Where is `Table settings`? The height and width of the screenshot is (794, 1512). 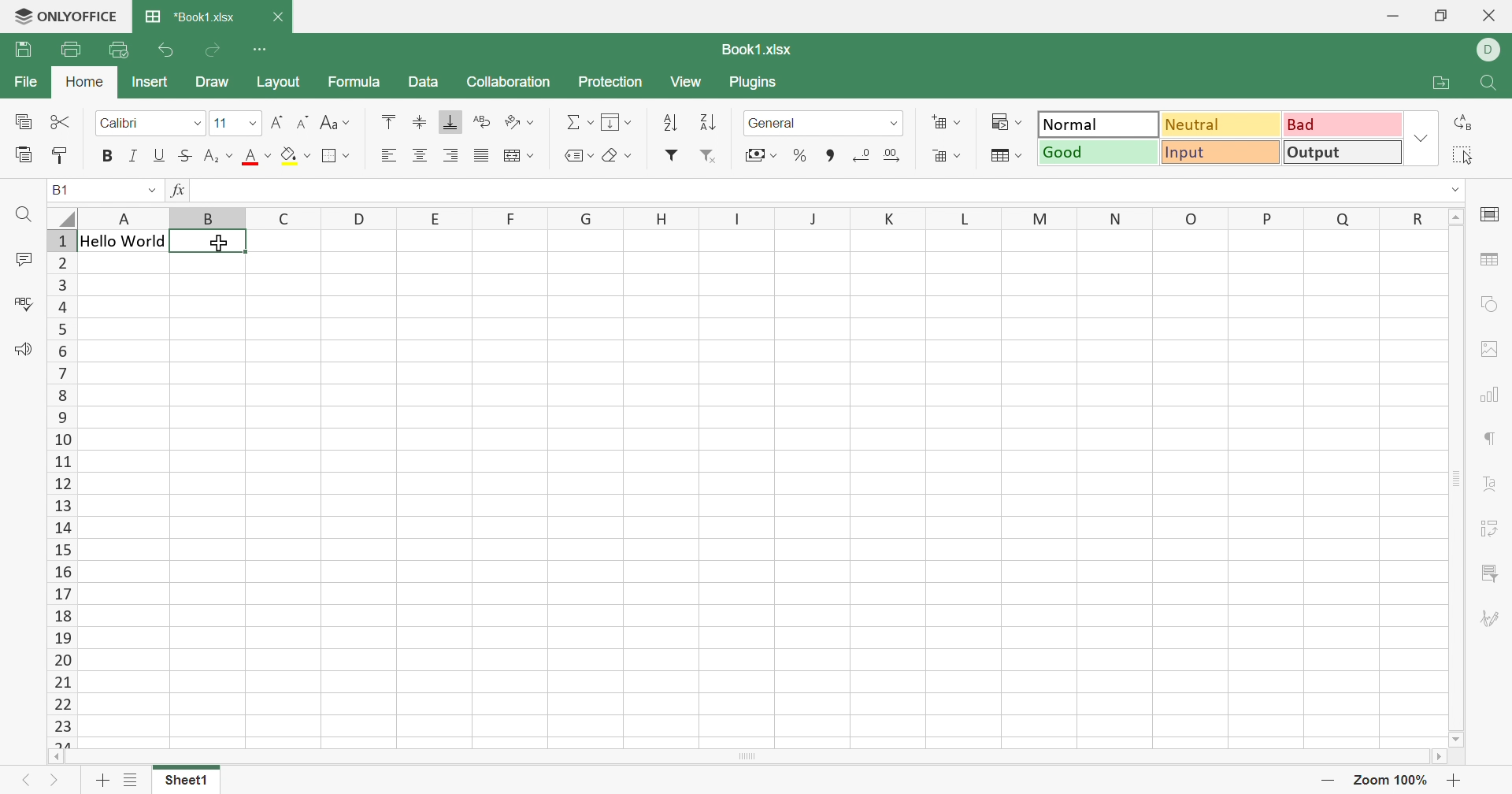
Table settings is located at coordinates (1492, 262).